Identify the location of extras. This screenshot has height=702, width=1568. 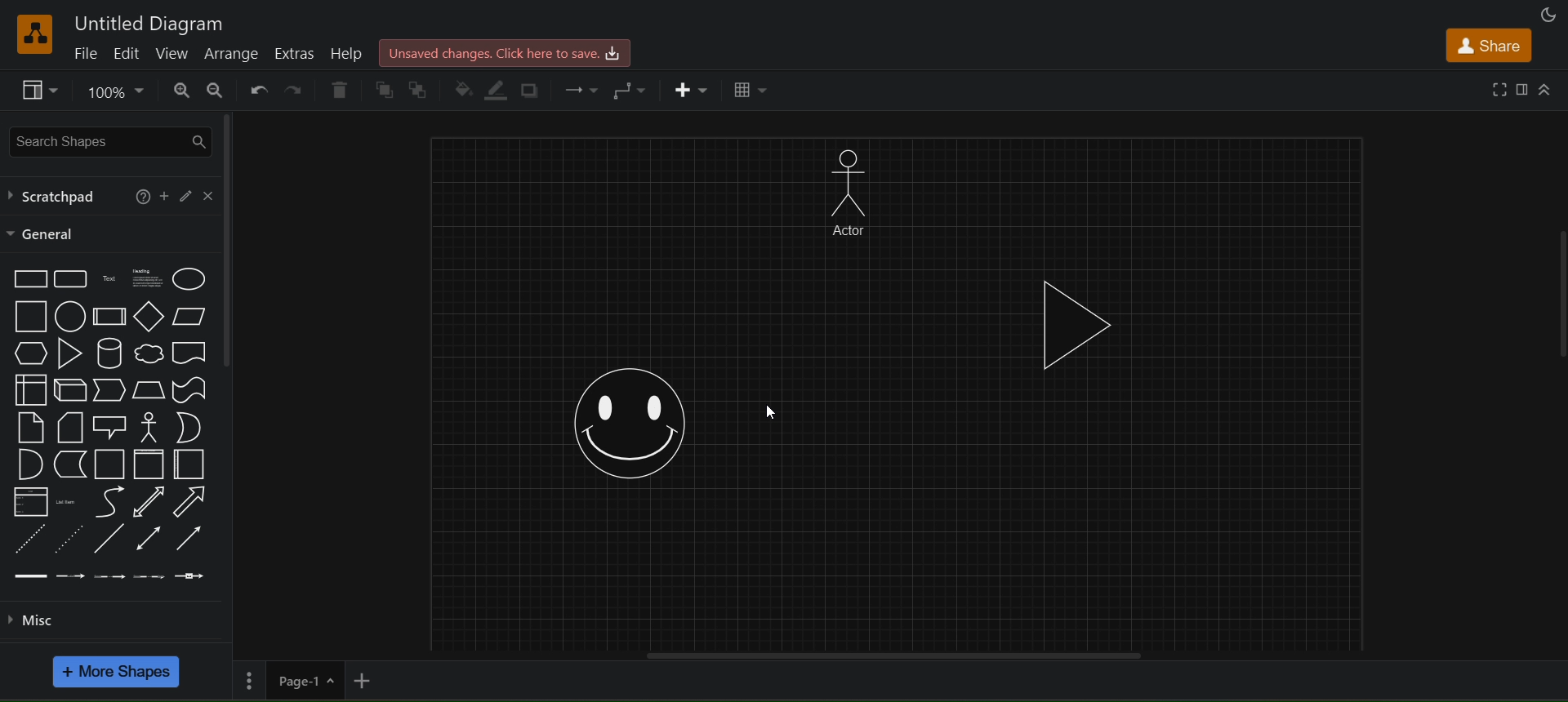
(296, 54).